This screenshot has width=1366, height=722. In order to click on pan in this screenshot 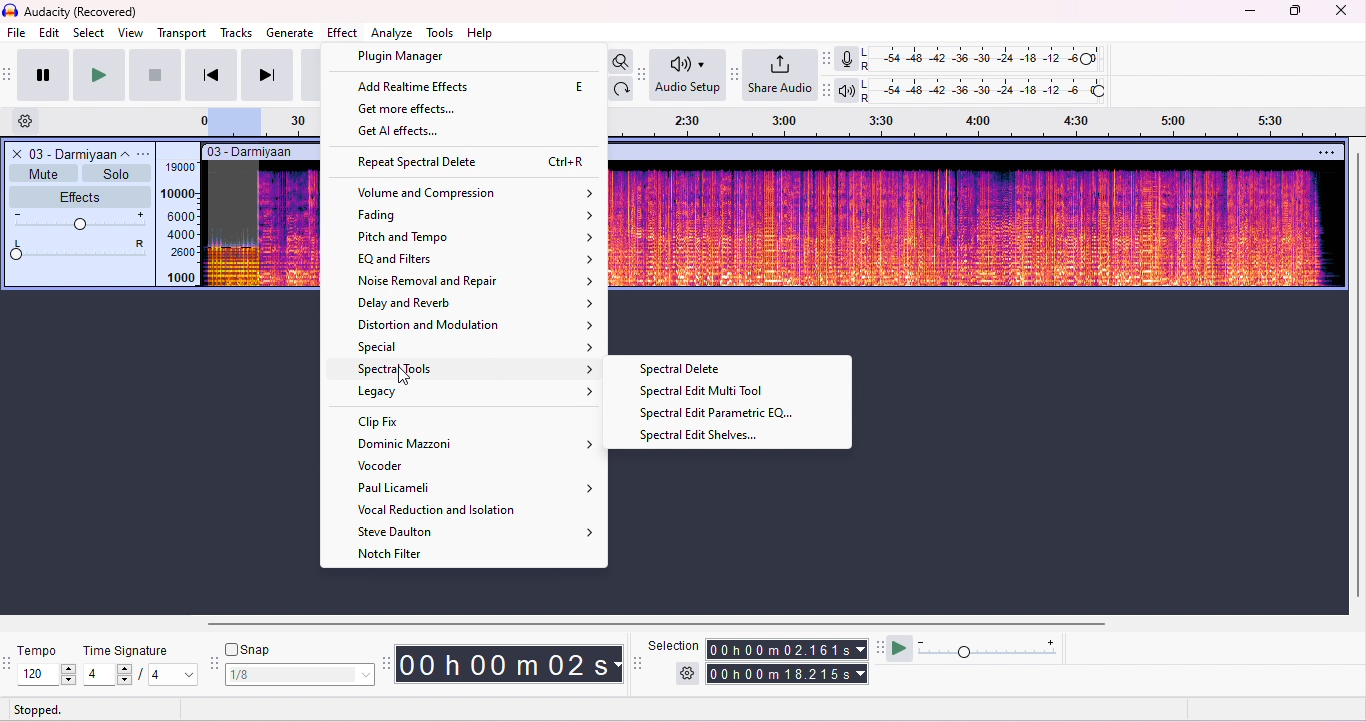, I will do `click(79, 251)`.